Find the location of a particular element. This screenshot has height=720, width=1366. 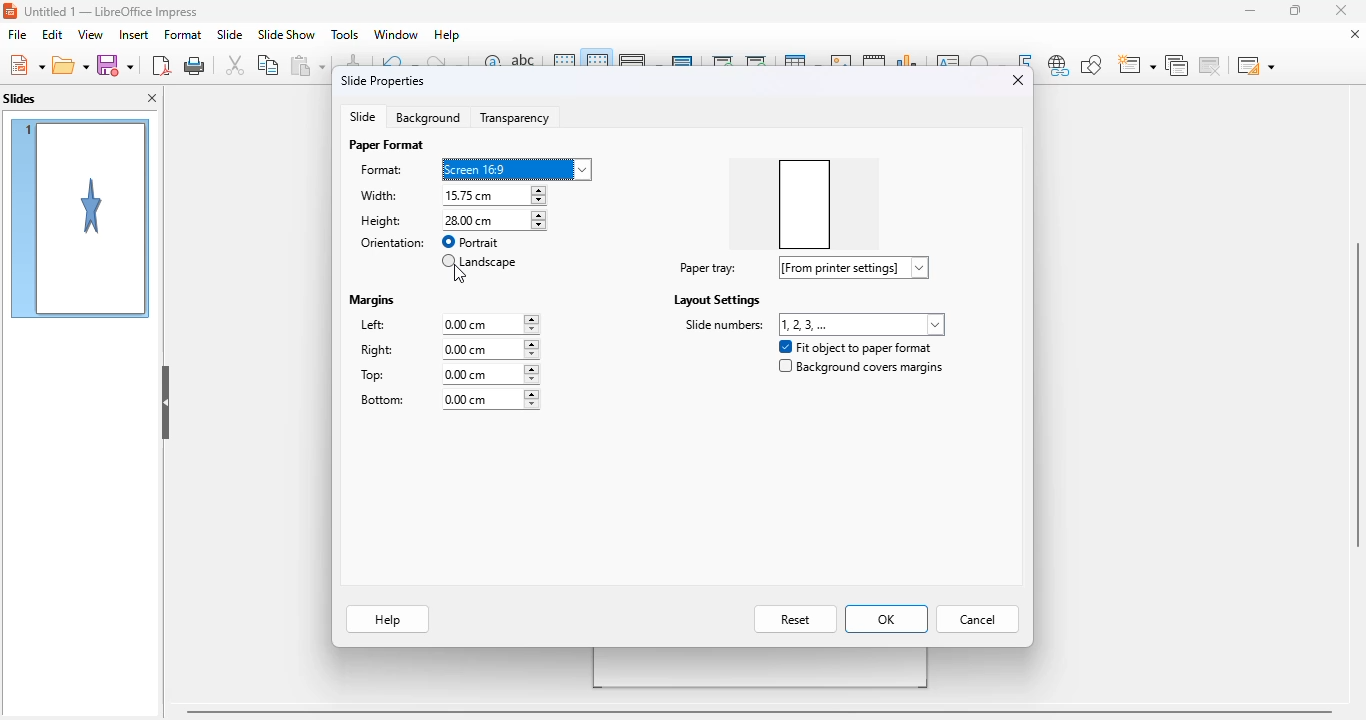

width is located at coordinates (384, 194).